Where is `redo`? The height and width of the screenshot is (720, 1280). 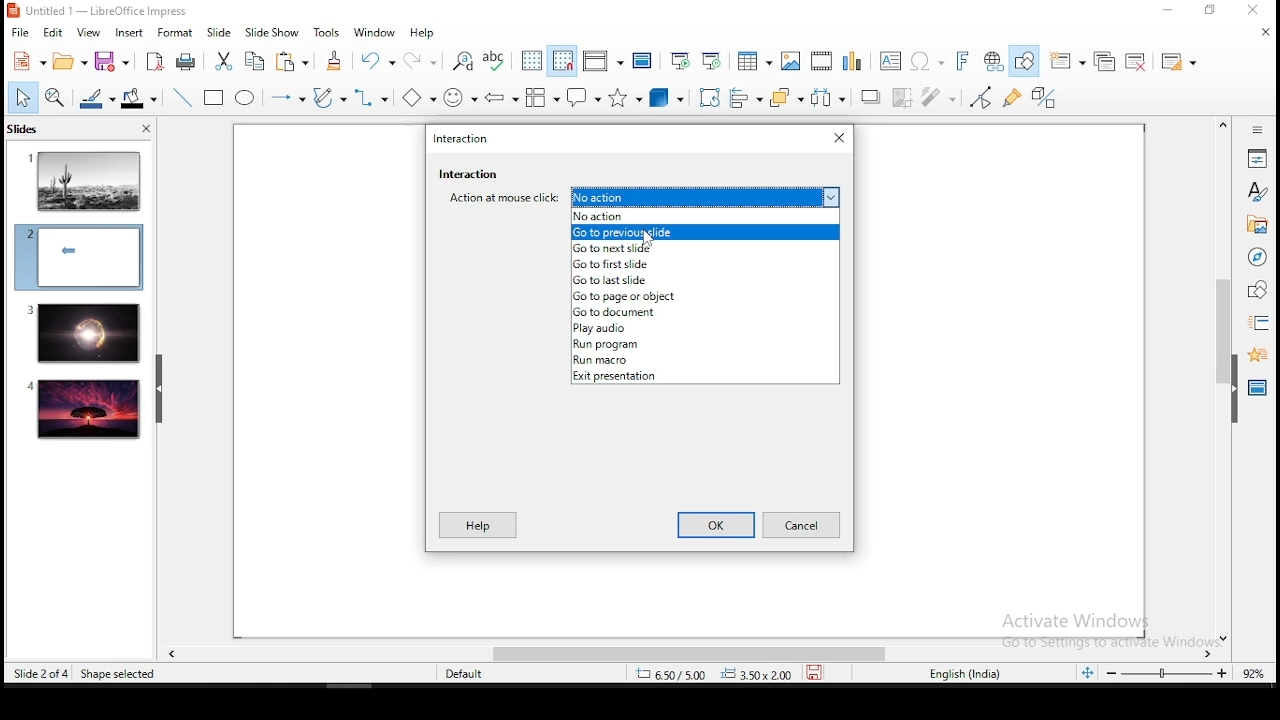 redo is located at coordinates (425, 59).